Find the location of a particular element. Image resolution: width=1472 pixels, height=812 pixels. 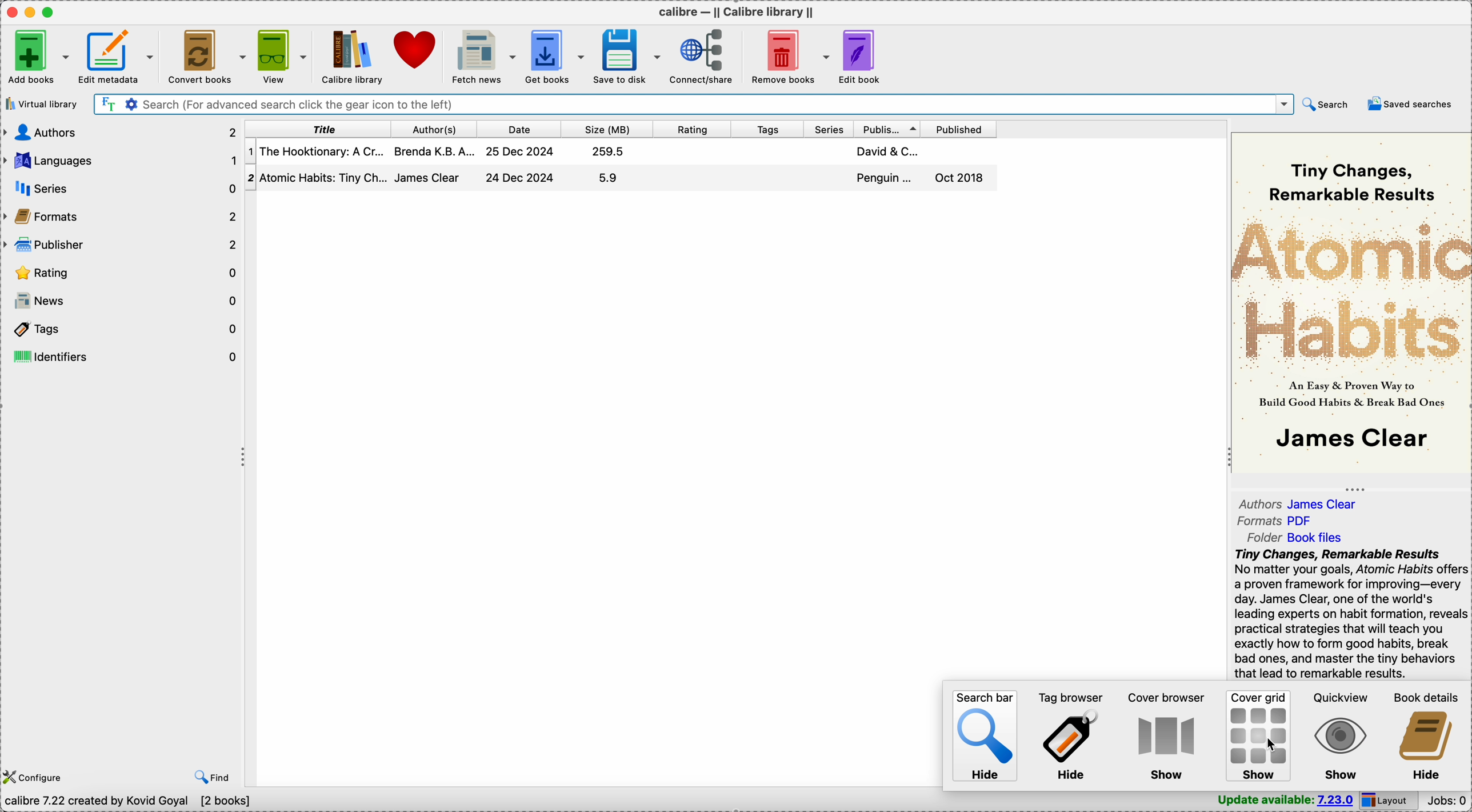

published is located at coordinates (959, 129).